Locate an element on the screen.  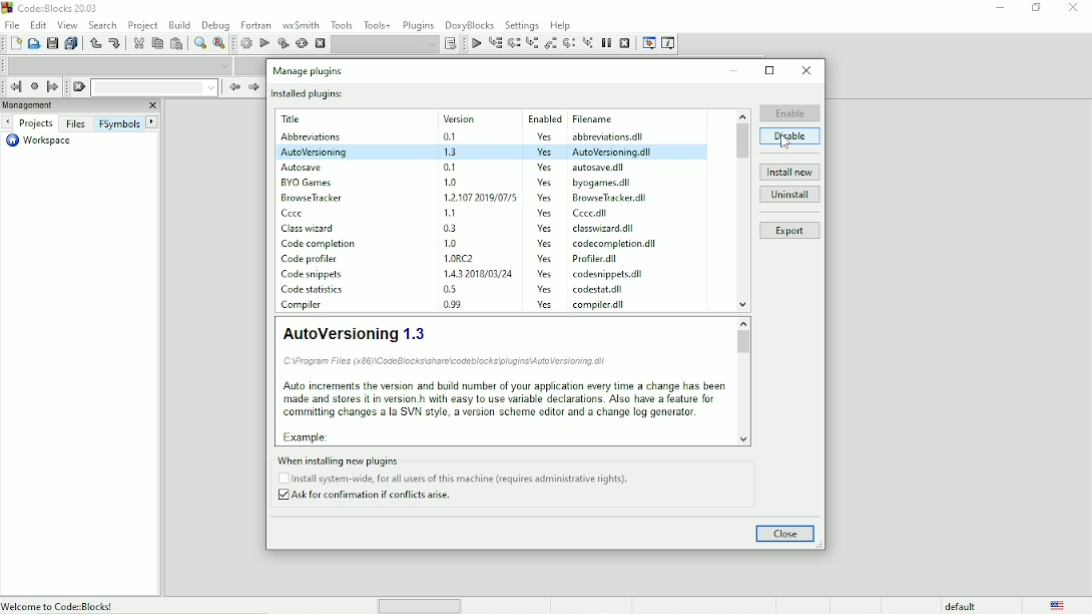
0.5 is located at coordinates (448, 289).